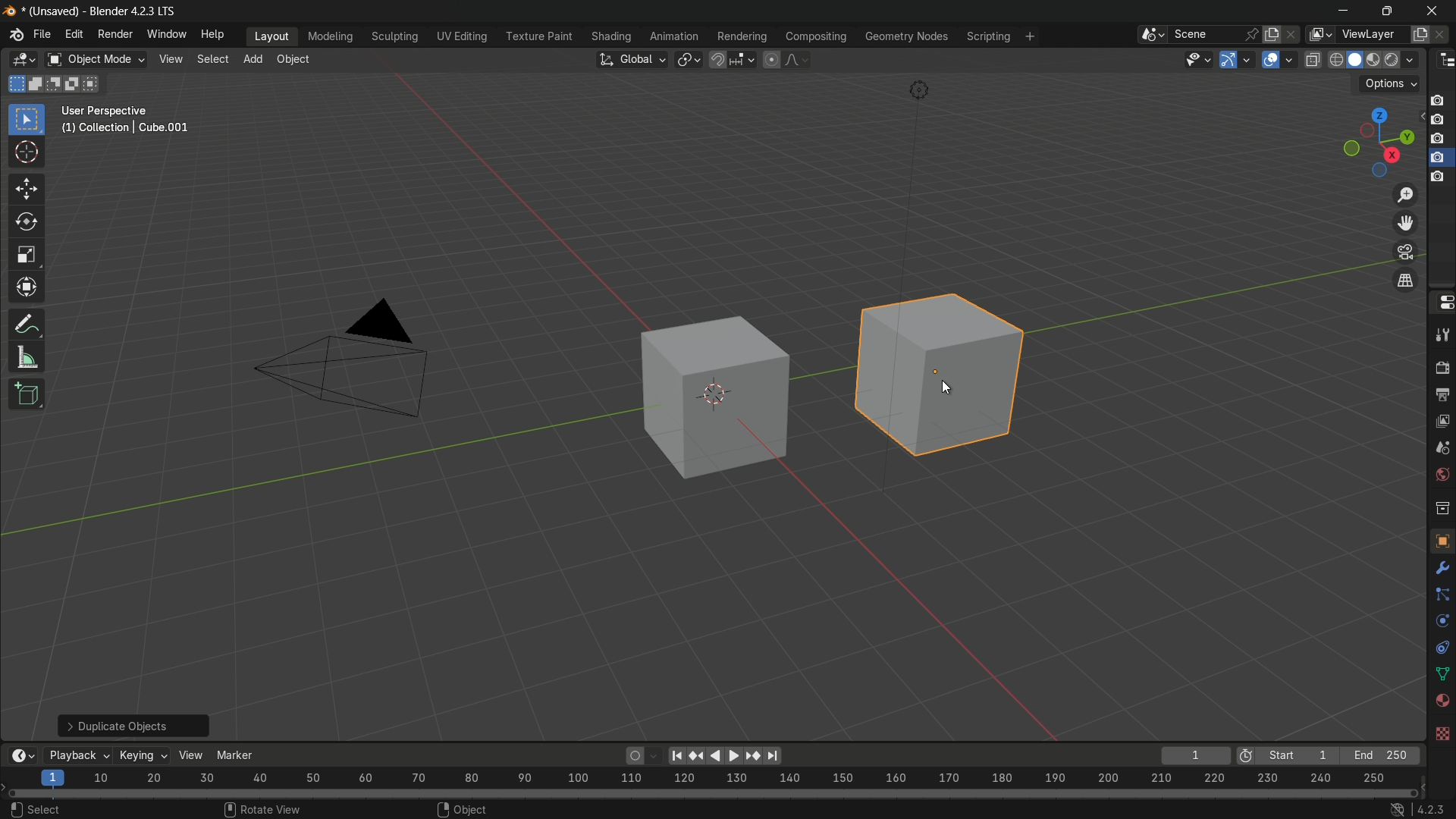 Image resolution: width=1456 pixels, height=819 pixels. What do you see at coordinates (143, 755) in the screenshot?
I see `keying` at bounding box center [143, 755].